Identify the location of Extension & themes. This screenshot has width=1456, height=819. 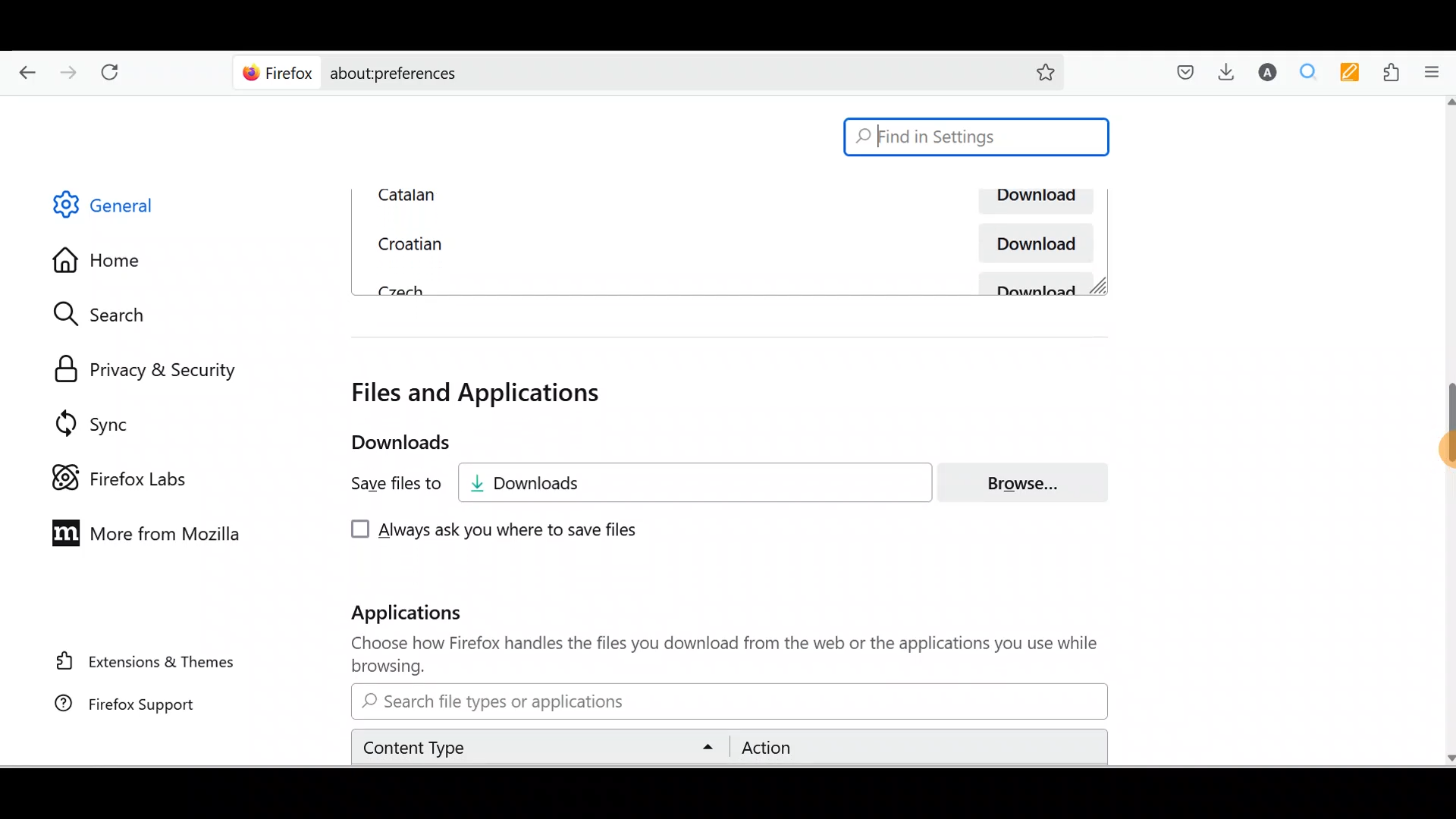
(134, 665).